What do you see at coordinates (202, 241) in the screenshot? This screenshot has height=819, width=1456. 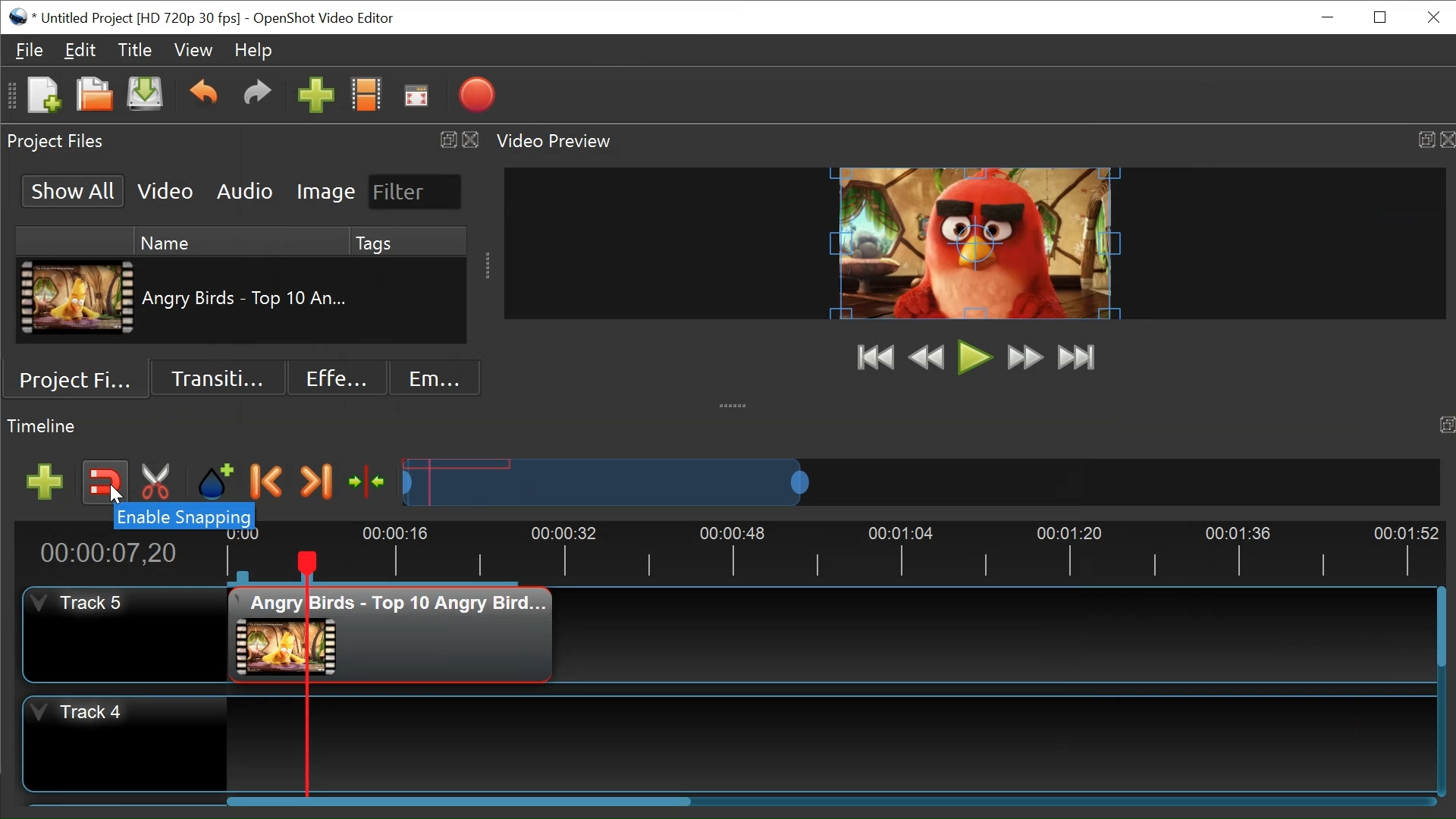 I see `` at bounding box center [202, 241].